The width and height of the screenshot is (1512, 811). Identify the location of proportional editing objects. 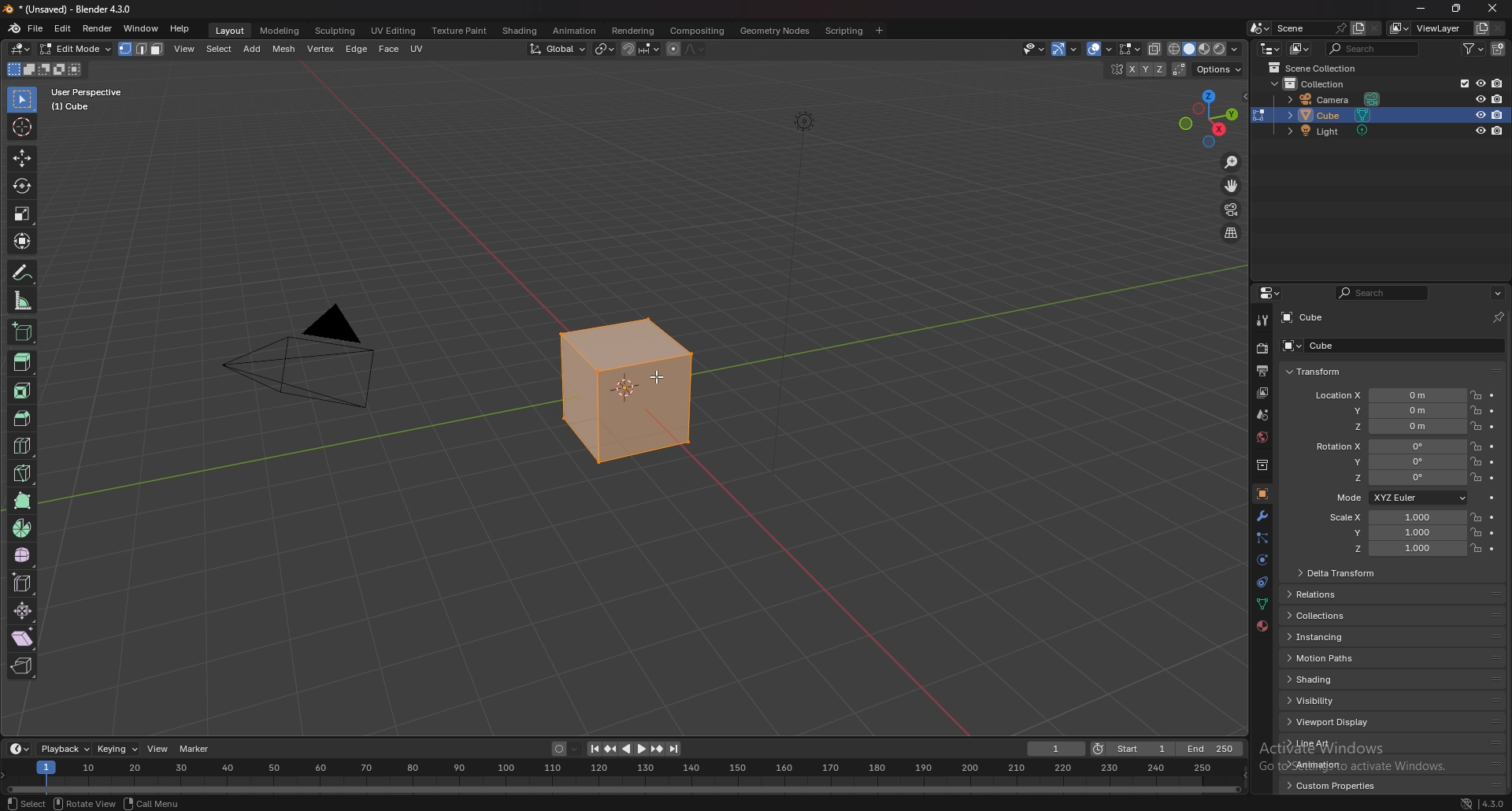
(686, 50).